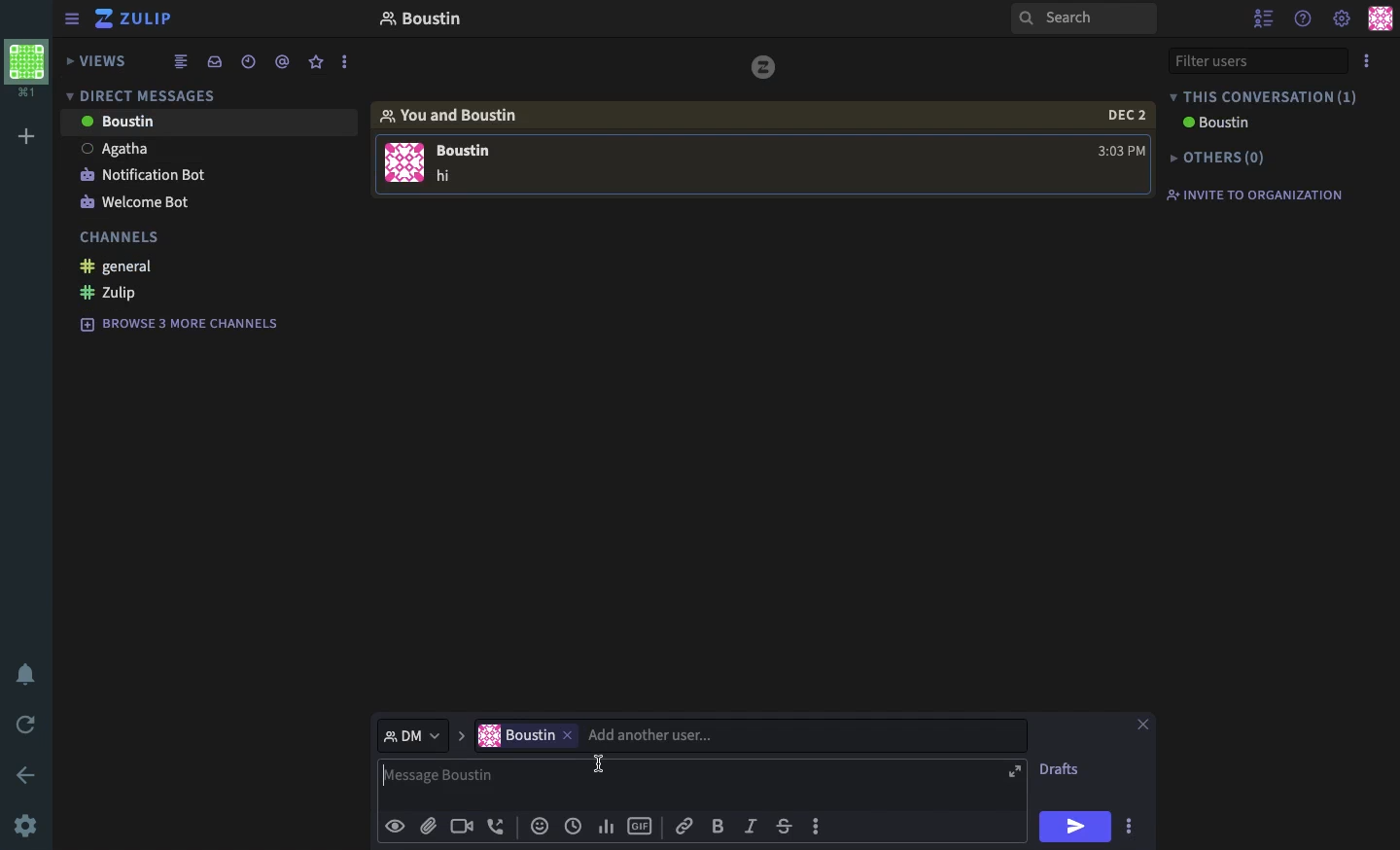  What do you see at coordinates (98, 63) in the screenshot?
I see `views` at bounding box center [98, 63].